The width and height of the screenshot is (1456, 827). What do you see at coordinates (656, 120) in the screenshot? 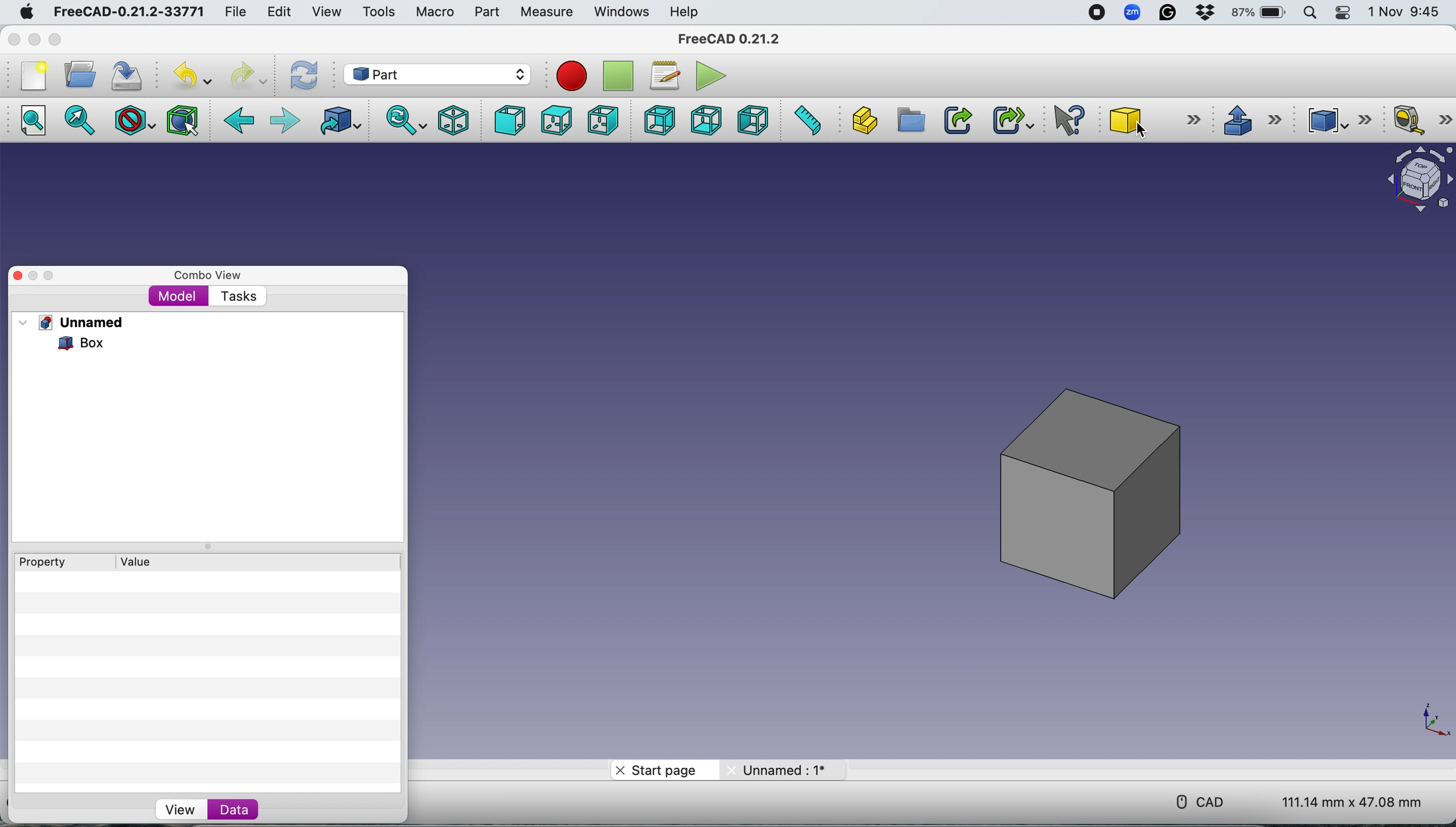
I see `Rear` at bounding box center [656, 120].